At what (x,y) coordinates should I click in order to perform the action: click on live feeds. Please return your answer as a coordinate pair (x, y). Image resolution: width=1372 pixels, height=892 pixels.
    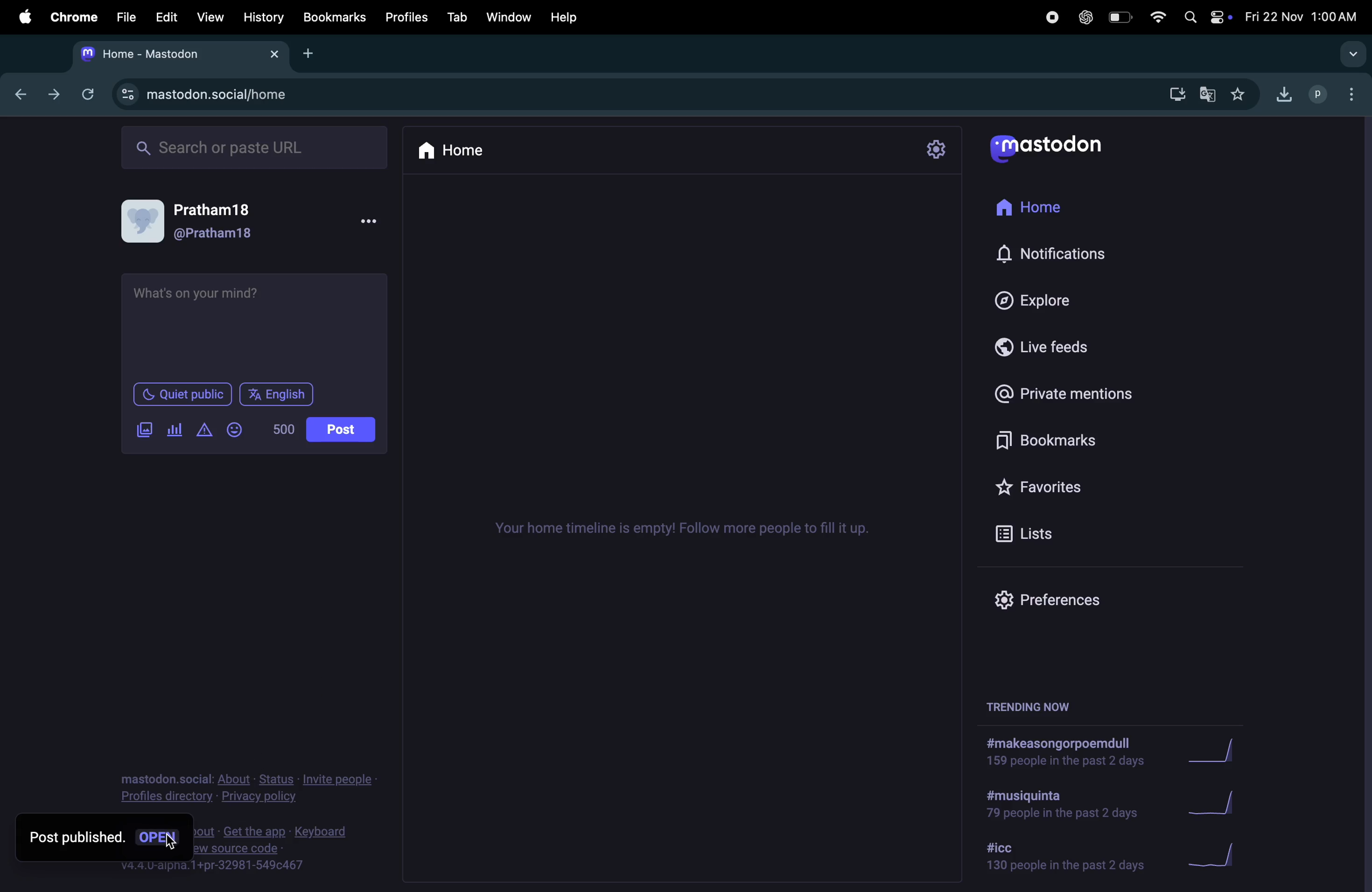
    Looking at the image, I should click on (1064, 347).